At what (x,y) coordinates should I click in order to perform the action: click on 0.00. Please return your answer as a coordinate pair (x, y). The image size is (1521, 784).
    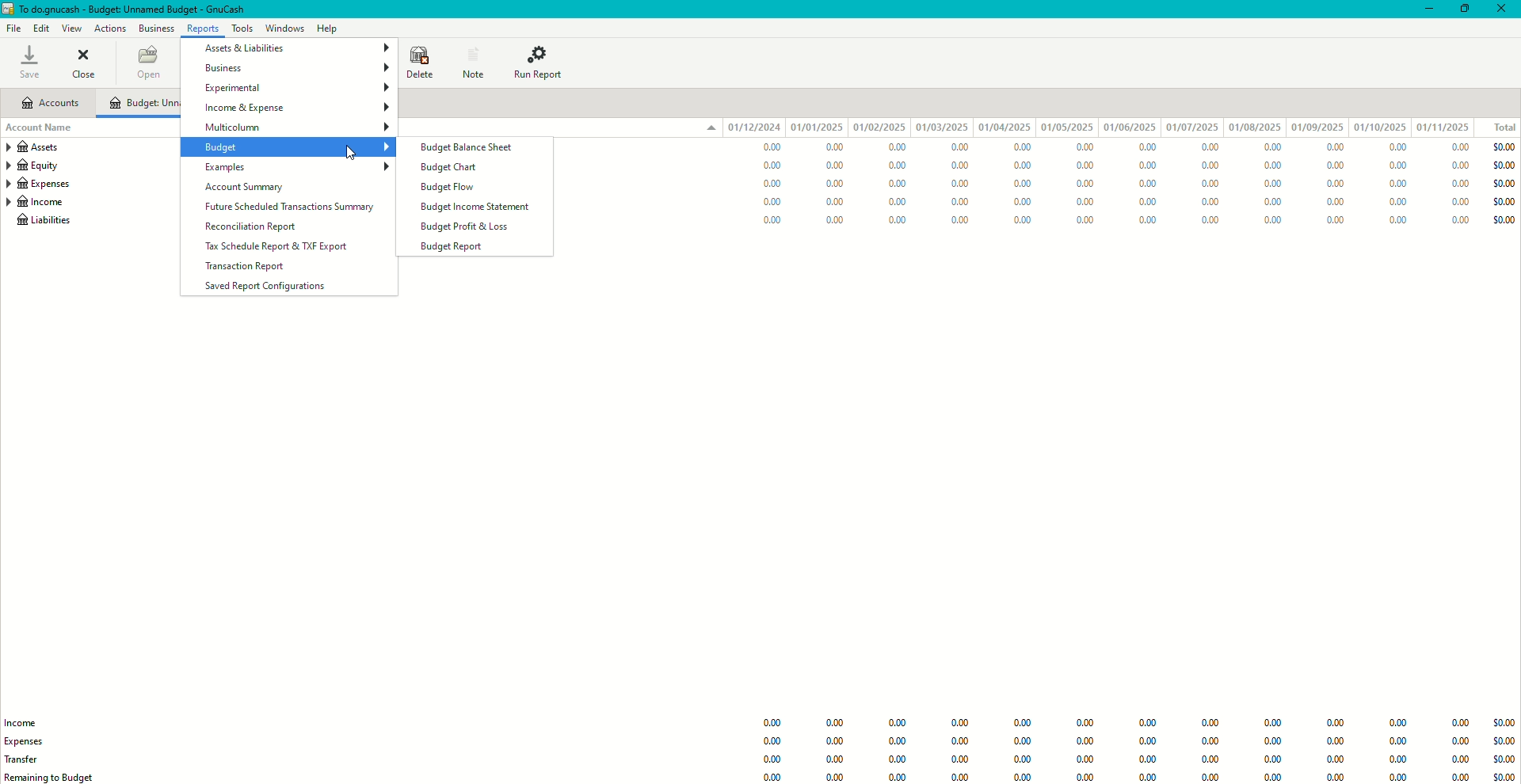
    Looking at the image, I should click on (1086, 776).